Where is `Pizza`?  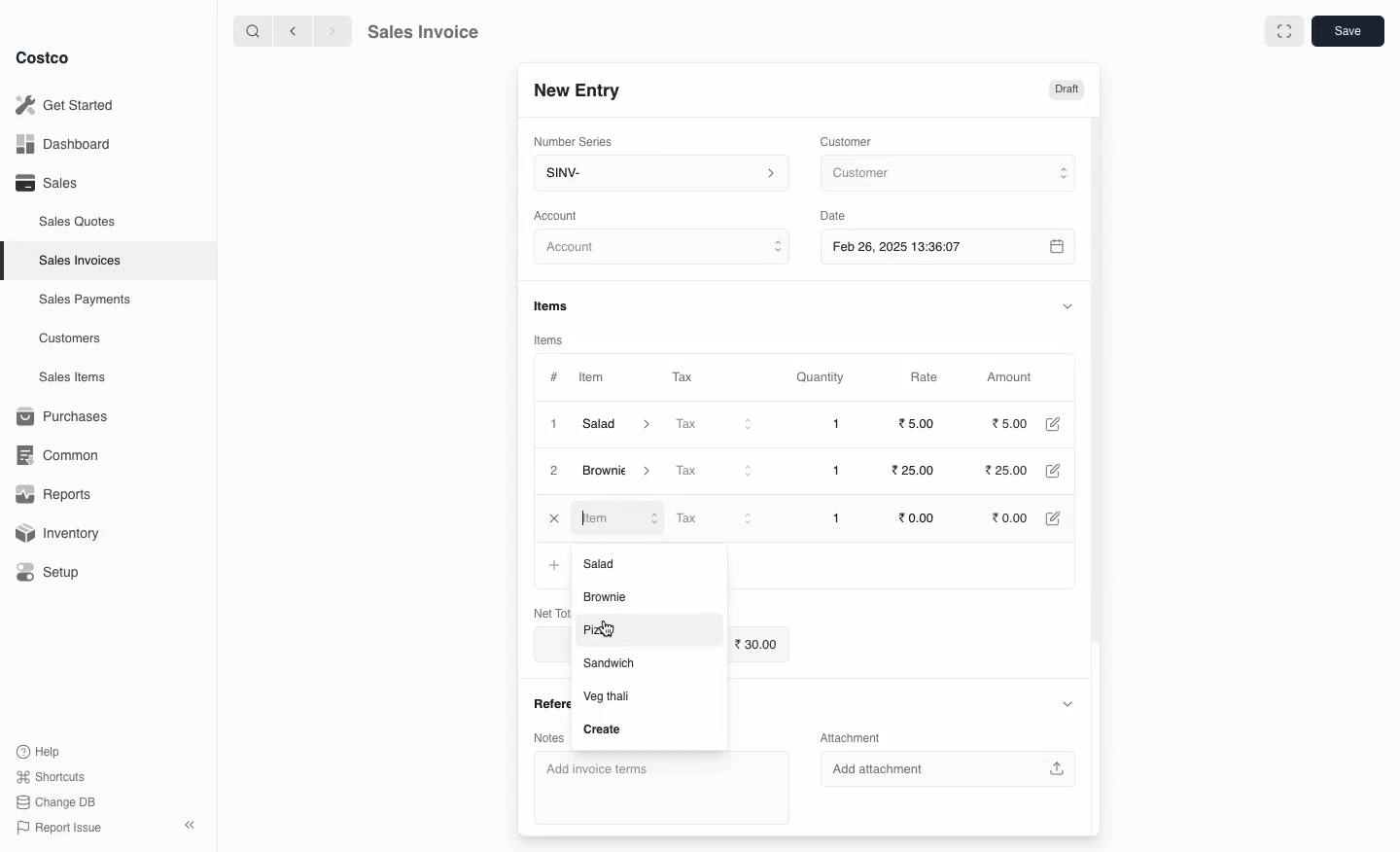
Pizza is located at coordinates (604, 631).